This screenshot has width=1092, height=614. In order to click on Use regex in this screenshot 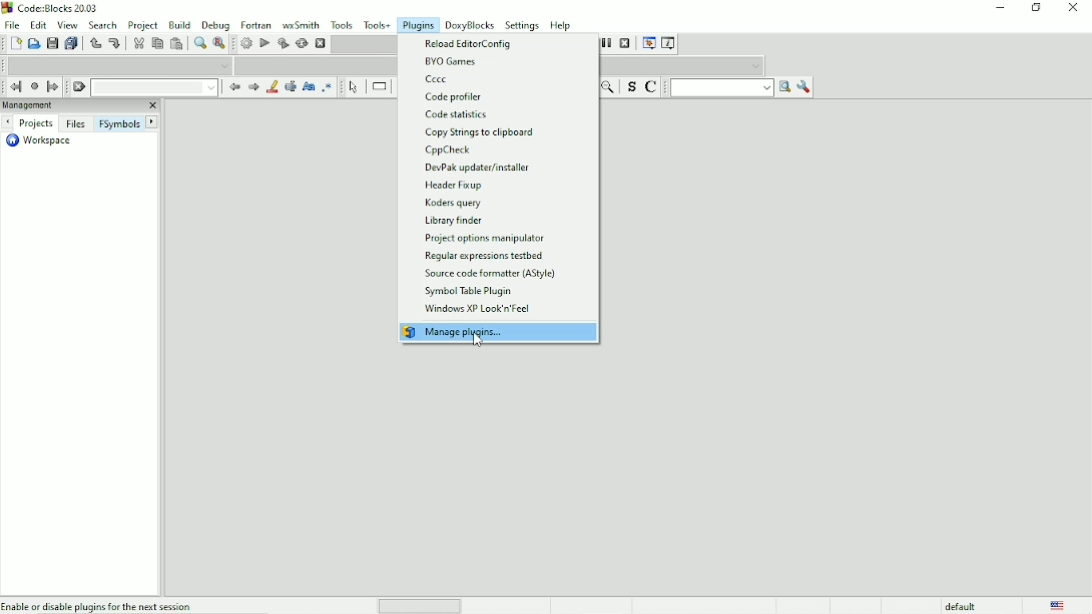, I will do `click(327, 87)`.